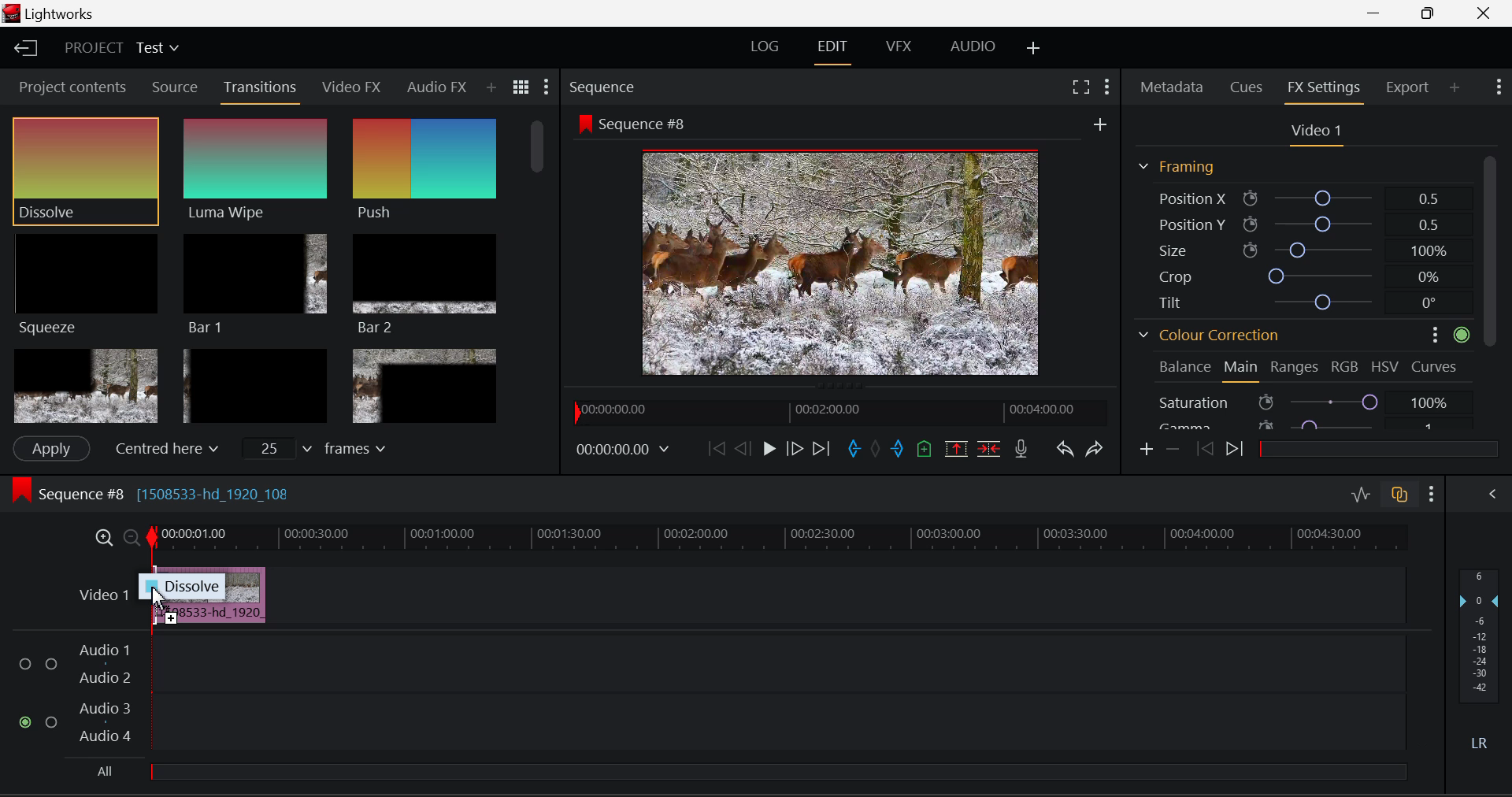 Image resolution: width=1512 pixels, height=797 pixels. Describe the element at coordinates (448, 86) in the screenshot. I see `Next Panel` at that location.